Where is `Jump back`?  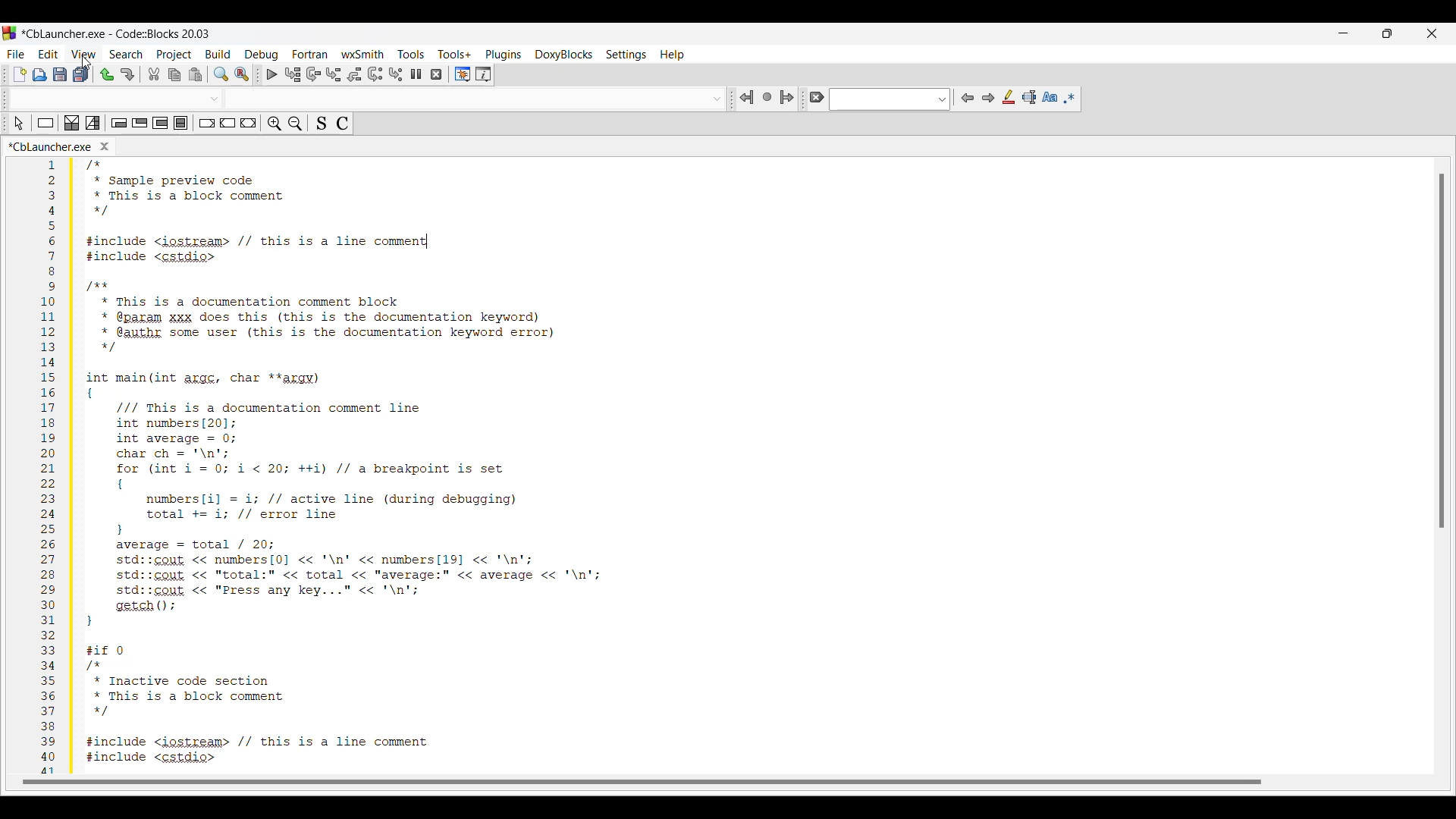 Jump back is located at coordinates (747, 98).